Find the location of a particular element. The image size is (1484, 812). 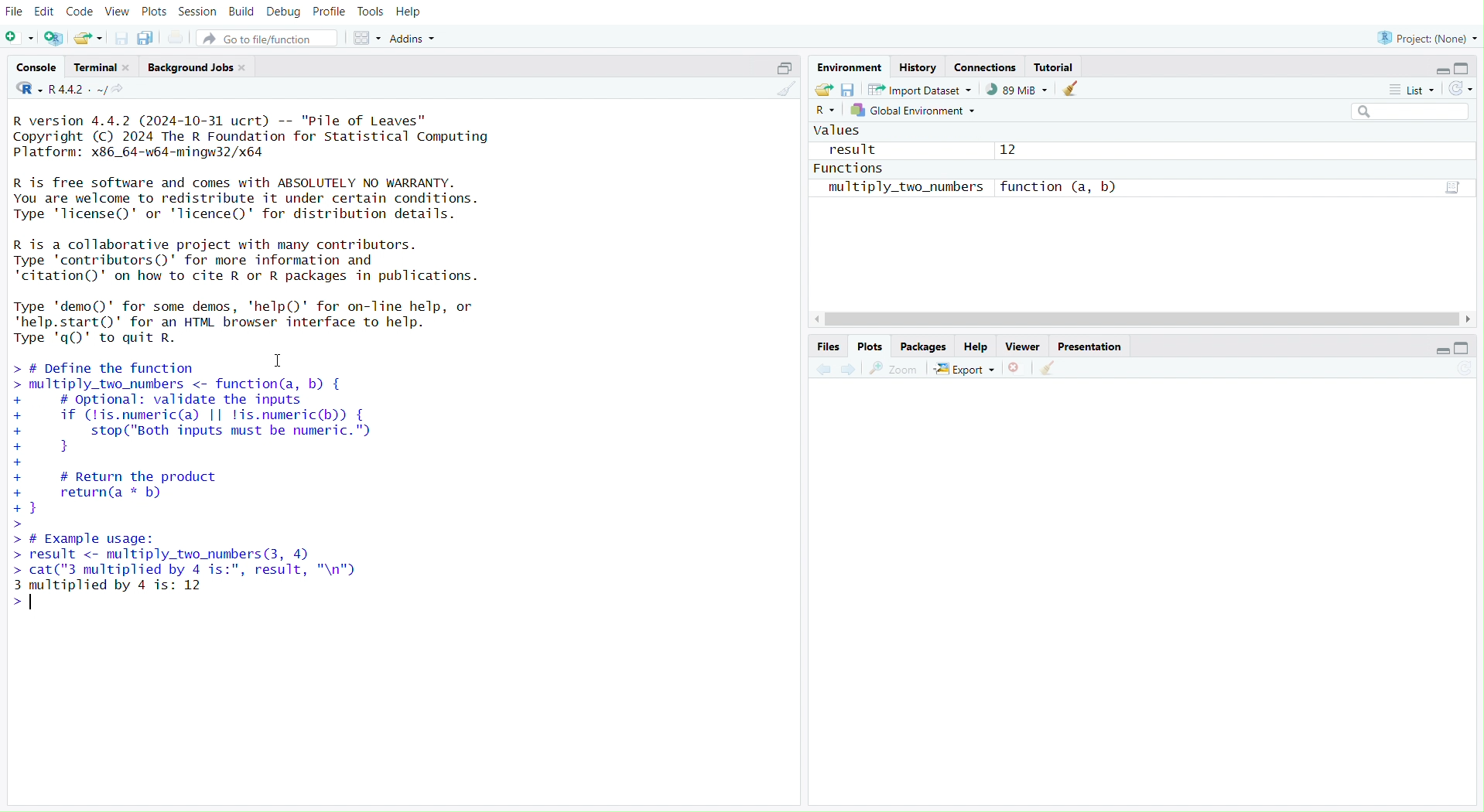

Project (None) is located at coordinates (1428, 36).